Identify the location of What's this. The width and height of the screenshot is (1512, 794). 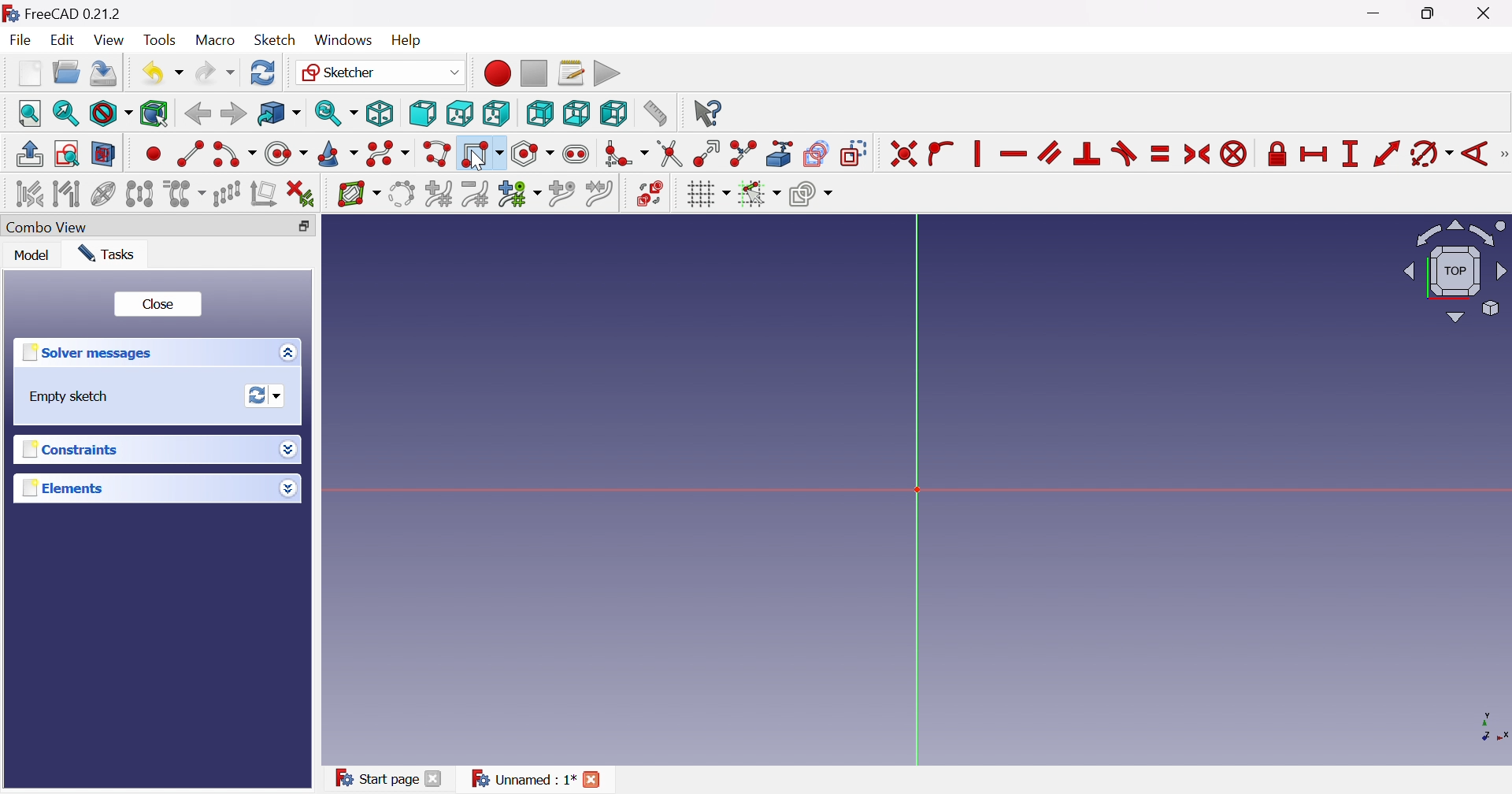
(707, 113).